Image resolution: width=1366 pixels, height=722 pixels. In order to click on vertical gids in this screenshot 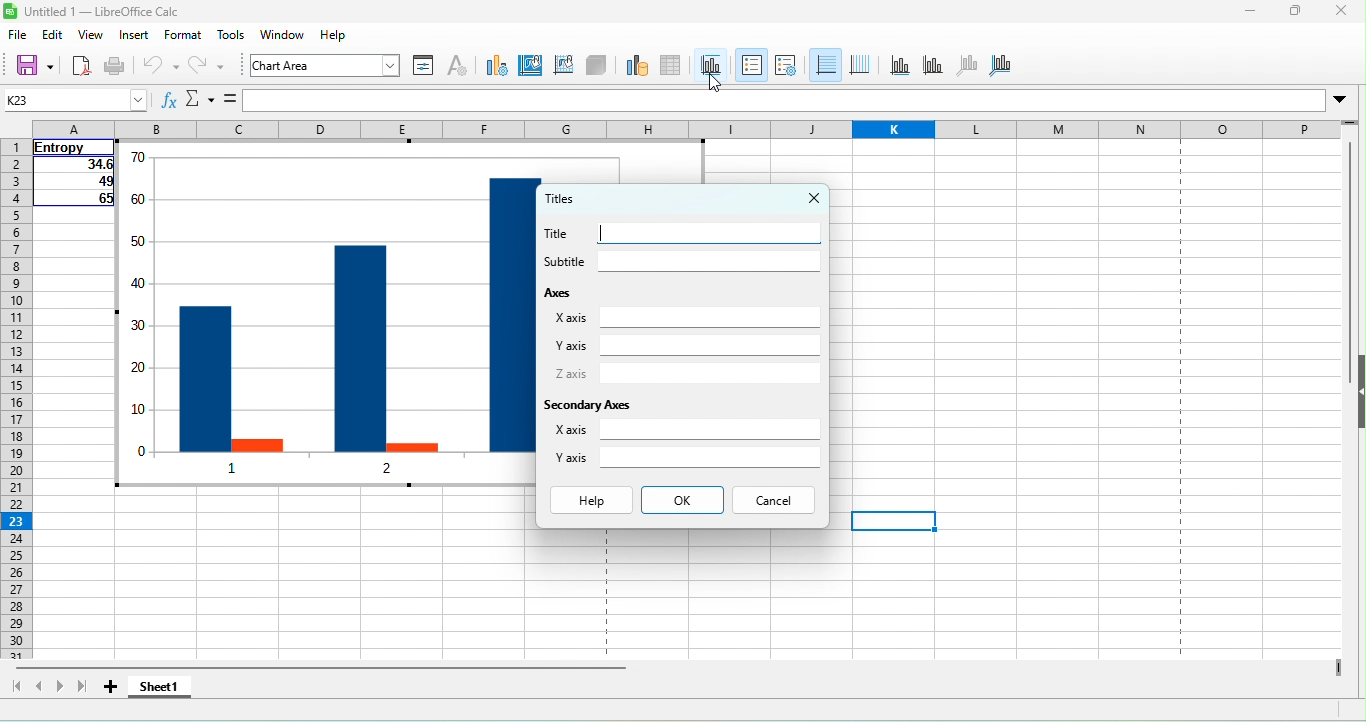, I will do `click(864, 65)`.